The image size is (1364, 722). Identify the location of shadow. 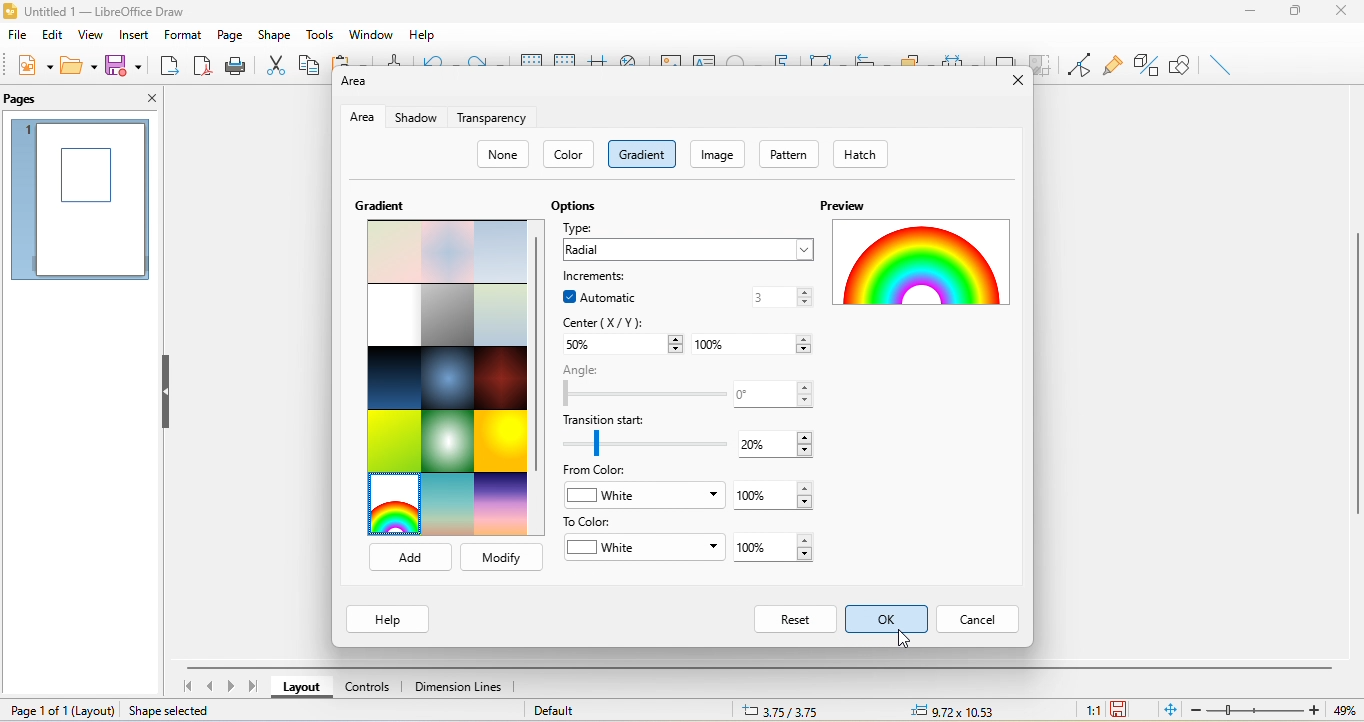
(413, 118).